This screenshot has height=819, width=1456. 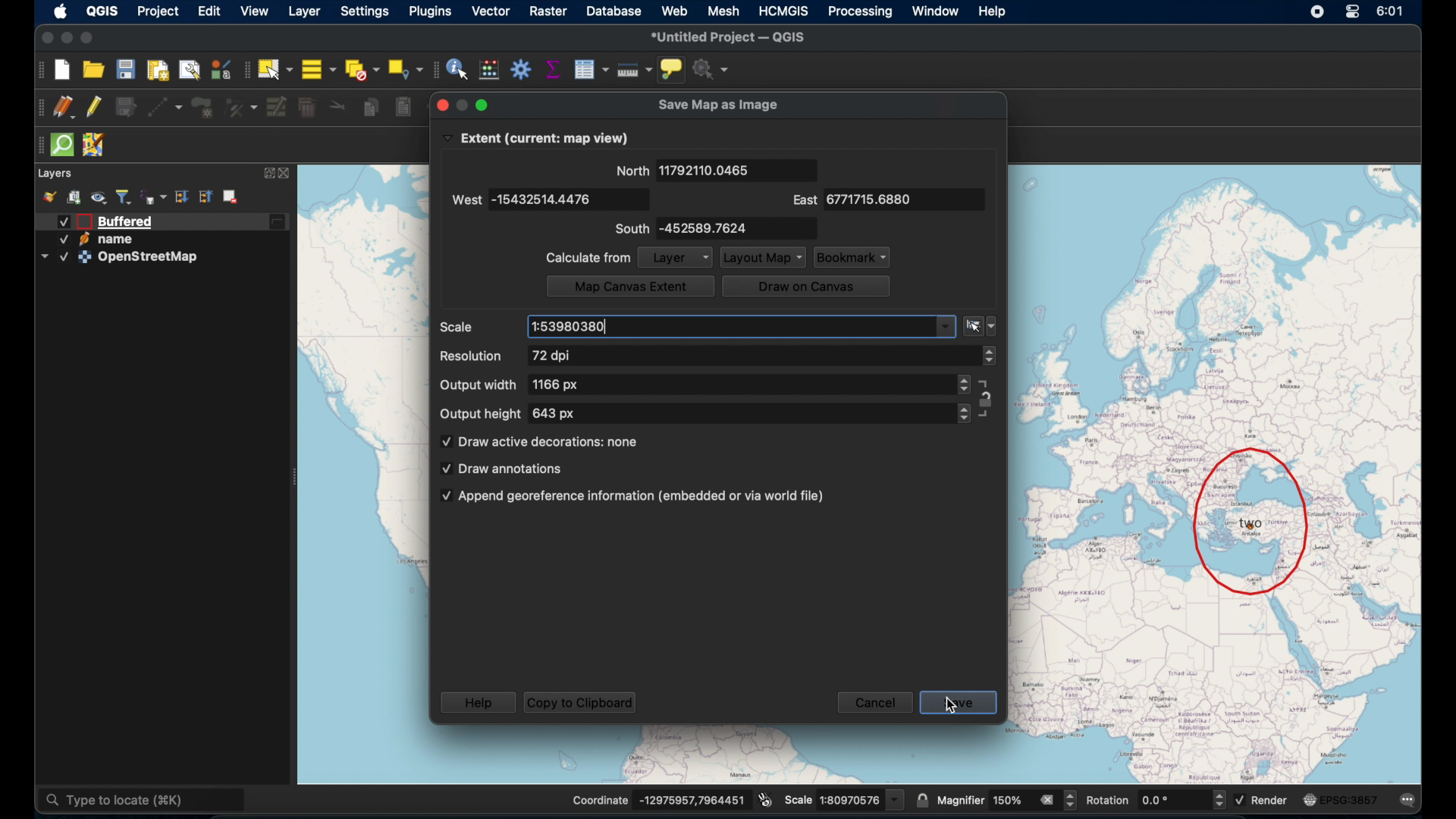 What do you see at coordinates (83, 221) in the screenshot?
I see `icon` at bounding box center [83, 221].